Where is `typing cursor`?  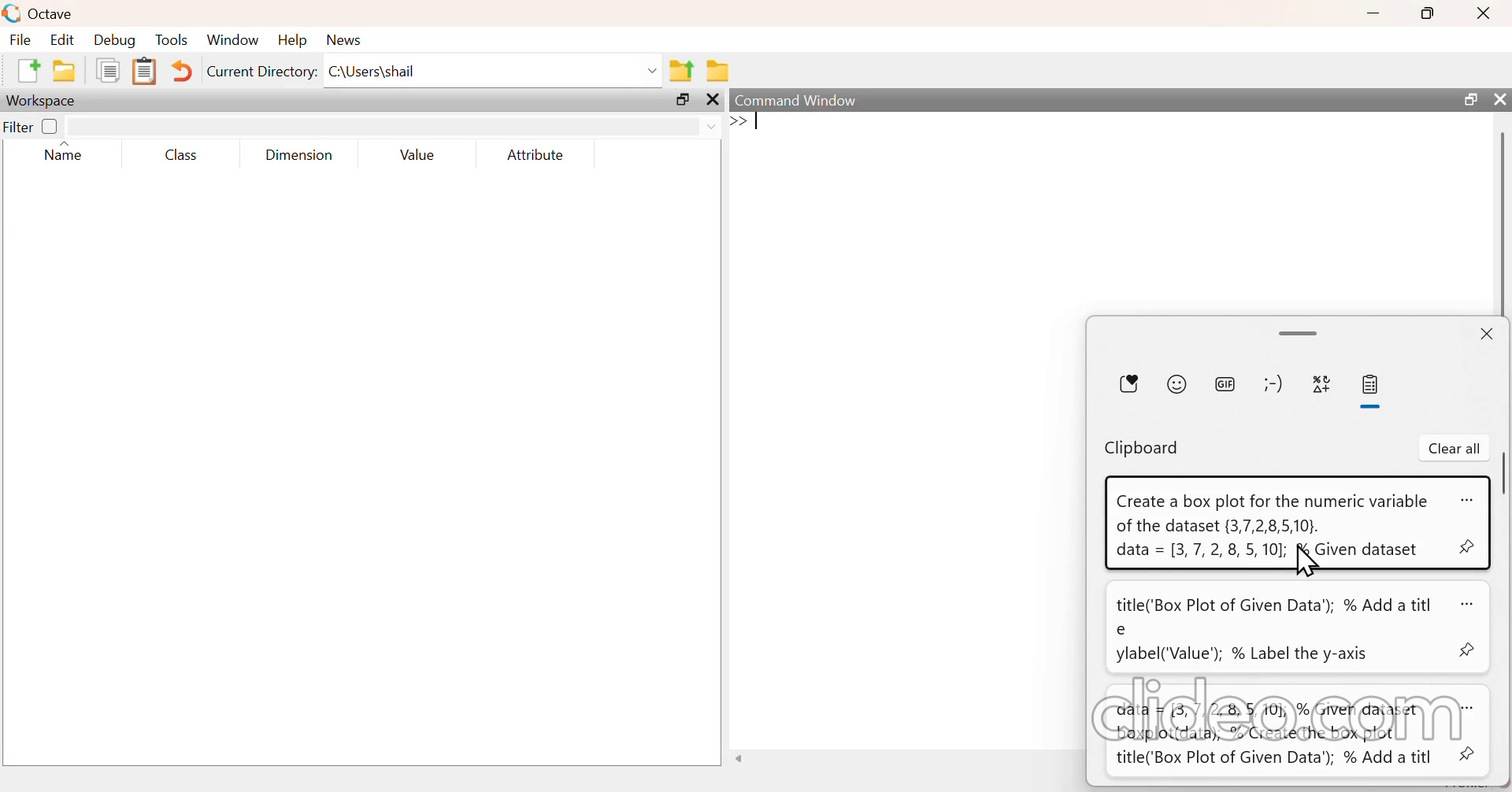 typing cursor is located at coordinates (762, 124).